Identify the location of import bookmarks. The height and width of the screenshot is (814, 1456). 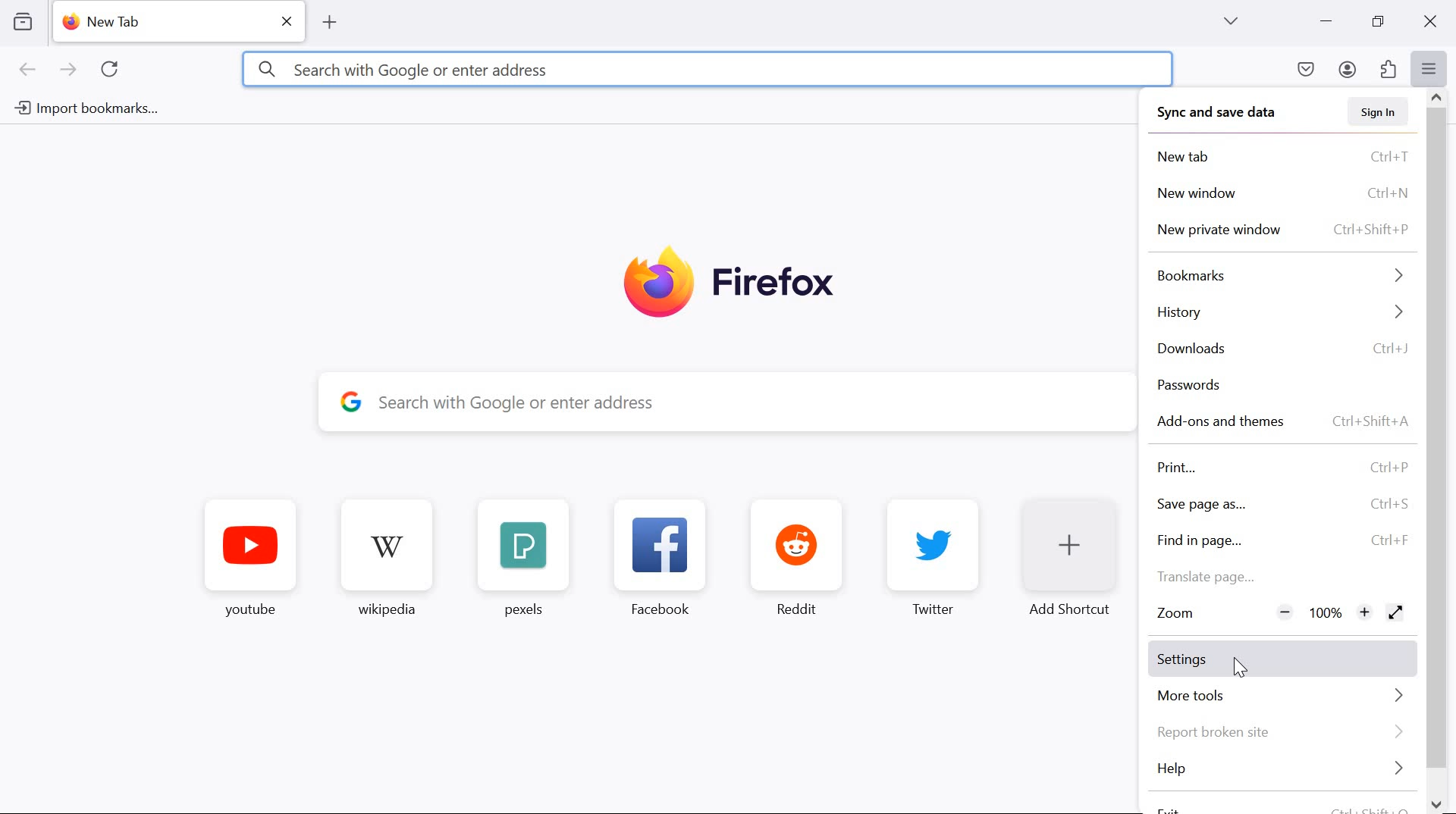
(90, 108).